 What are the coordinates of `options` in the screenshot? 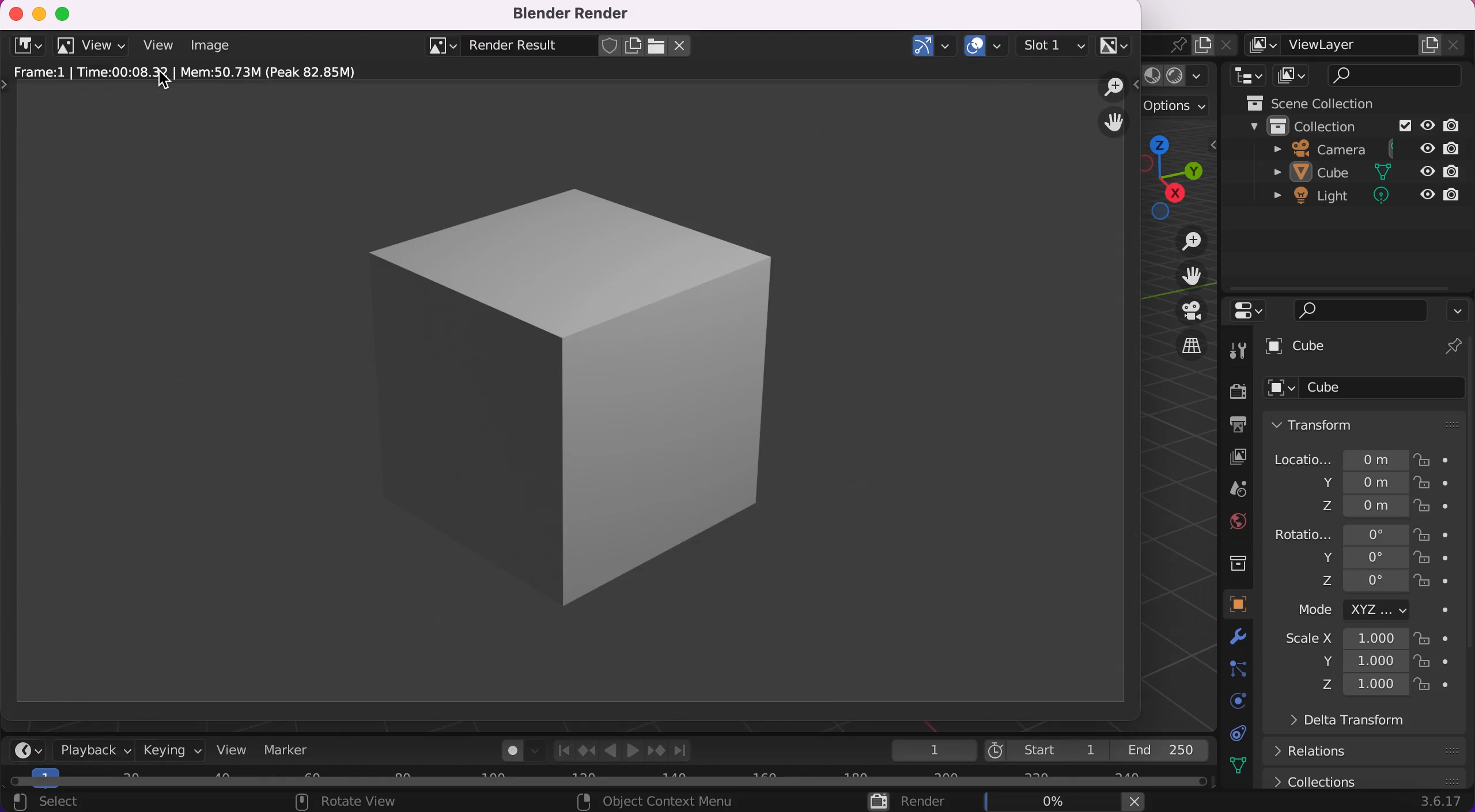 It's located at (1458, 313).